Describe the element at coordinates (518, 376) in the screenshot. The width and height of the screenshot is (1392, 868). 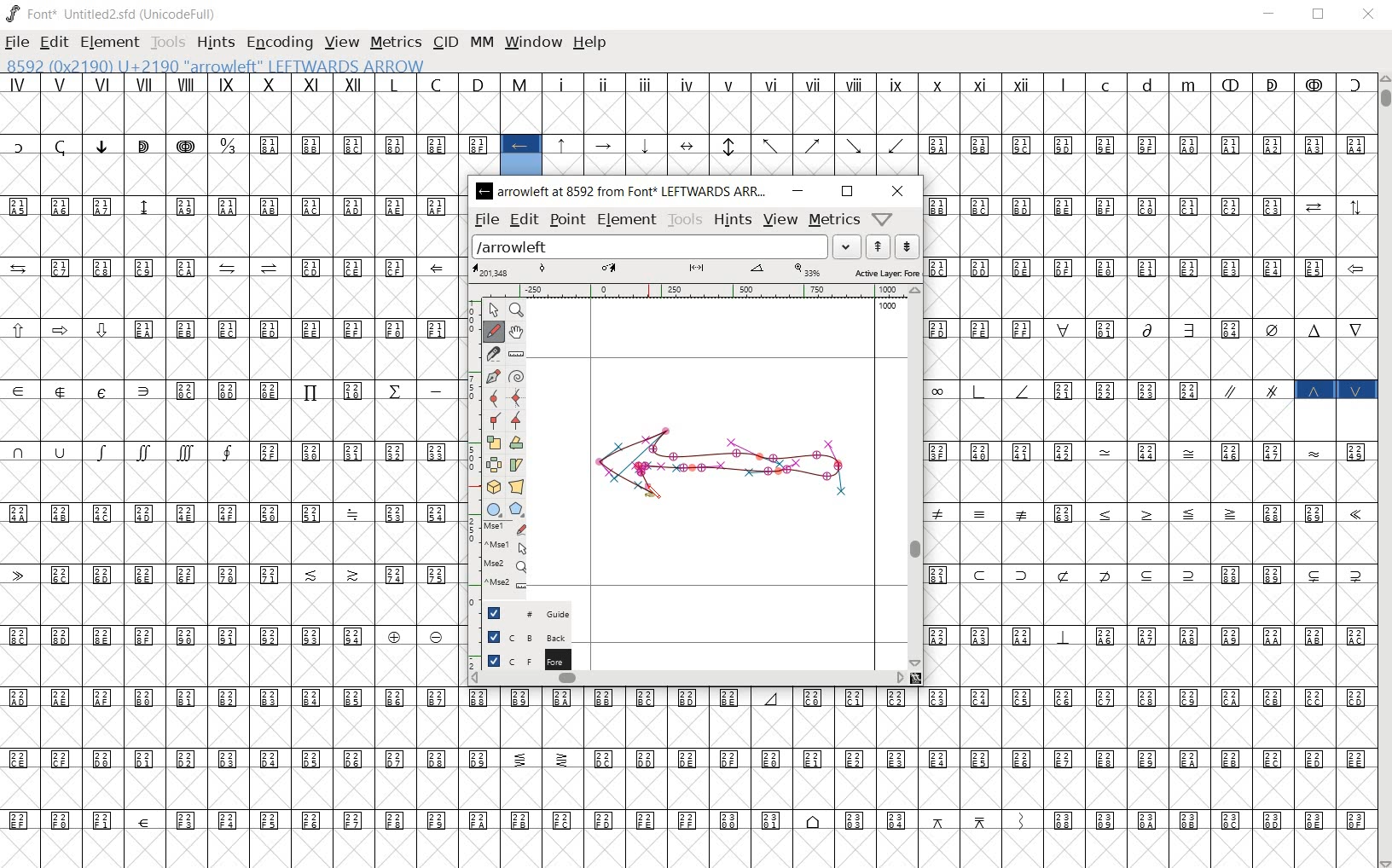
I see `change whether spiro is active or not` at that location.